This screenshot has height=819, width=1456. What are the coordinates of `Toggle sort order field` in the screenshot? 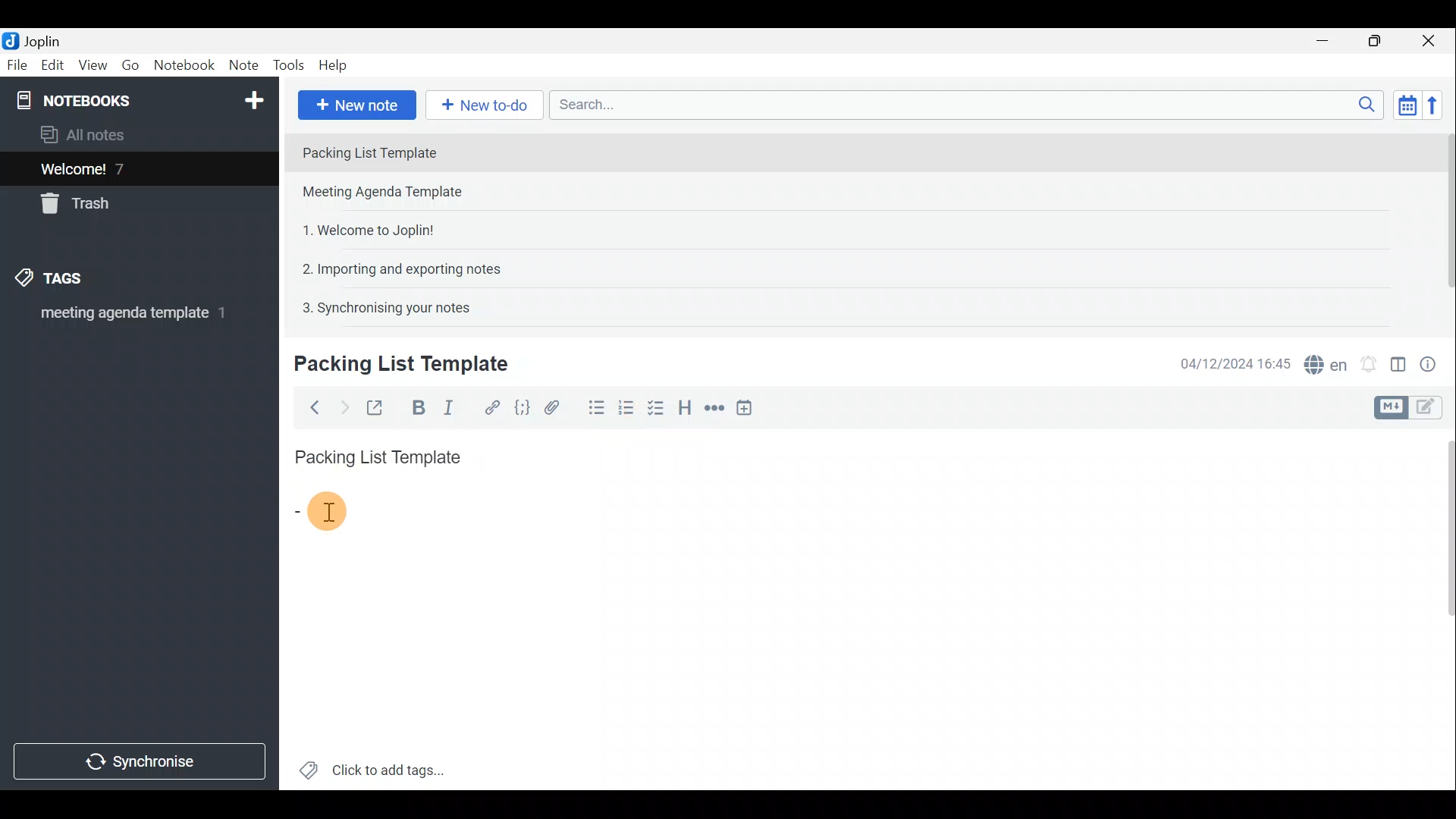 It's located at (1402, 105).